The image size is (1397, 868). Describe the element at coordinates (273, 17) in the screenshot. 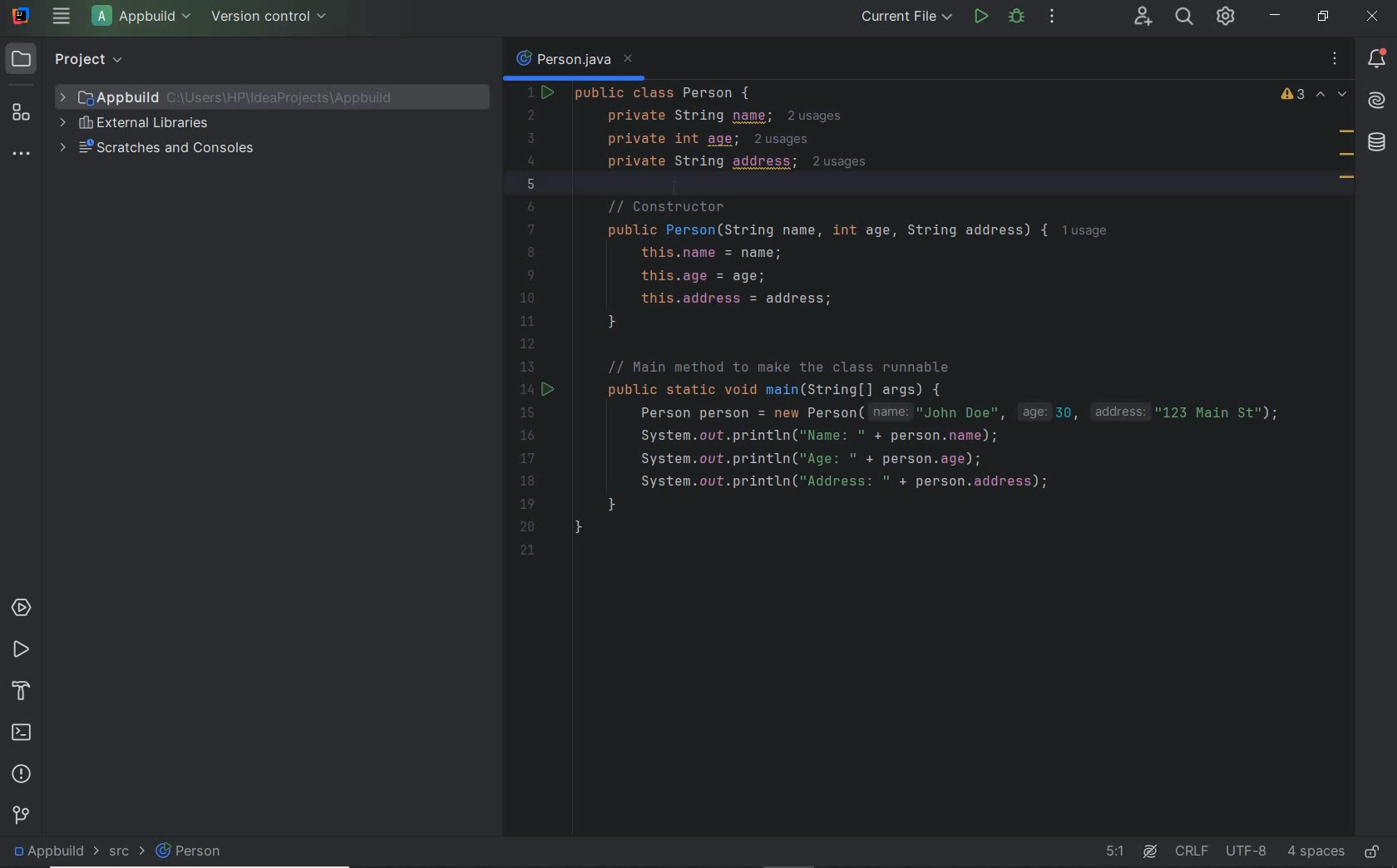

I see `version control` at that location.